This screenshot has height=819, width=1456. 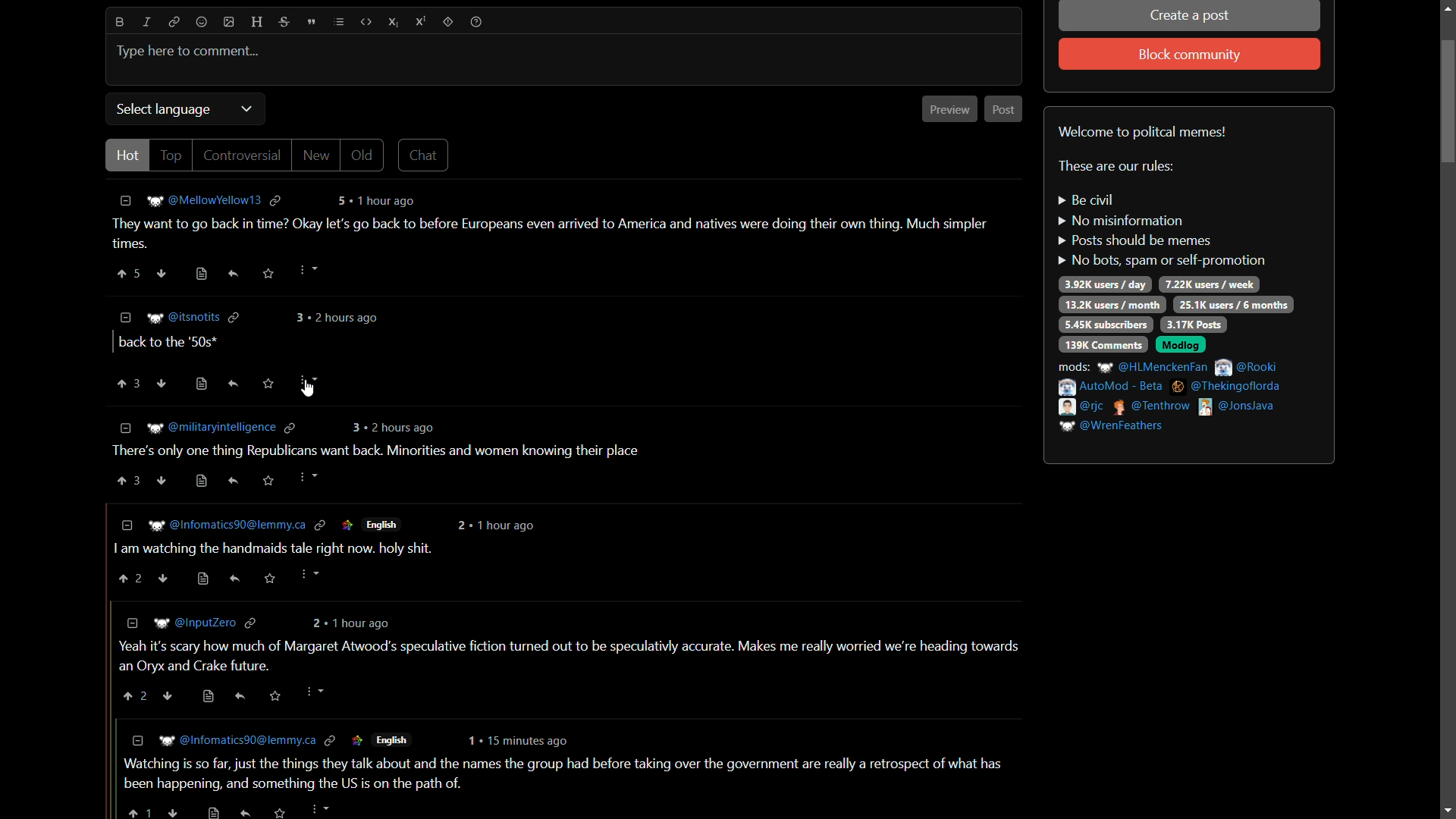 I want to click on 3.92k users/day, so click(x=1106, y=284).